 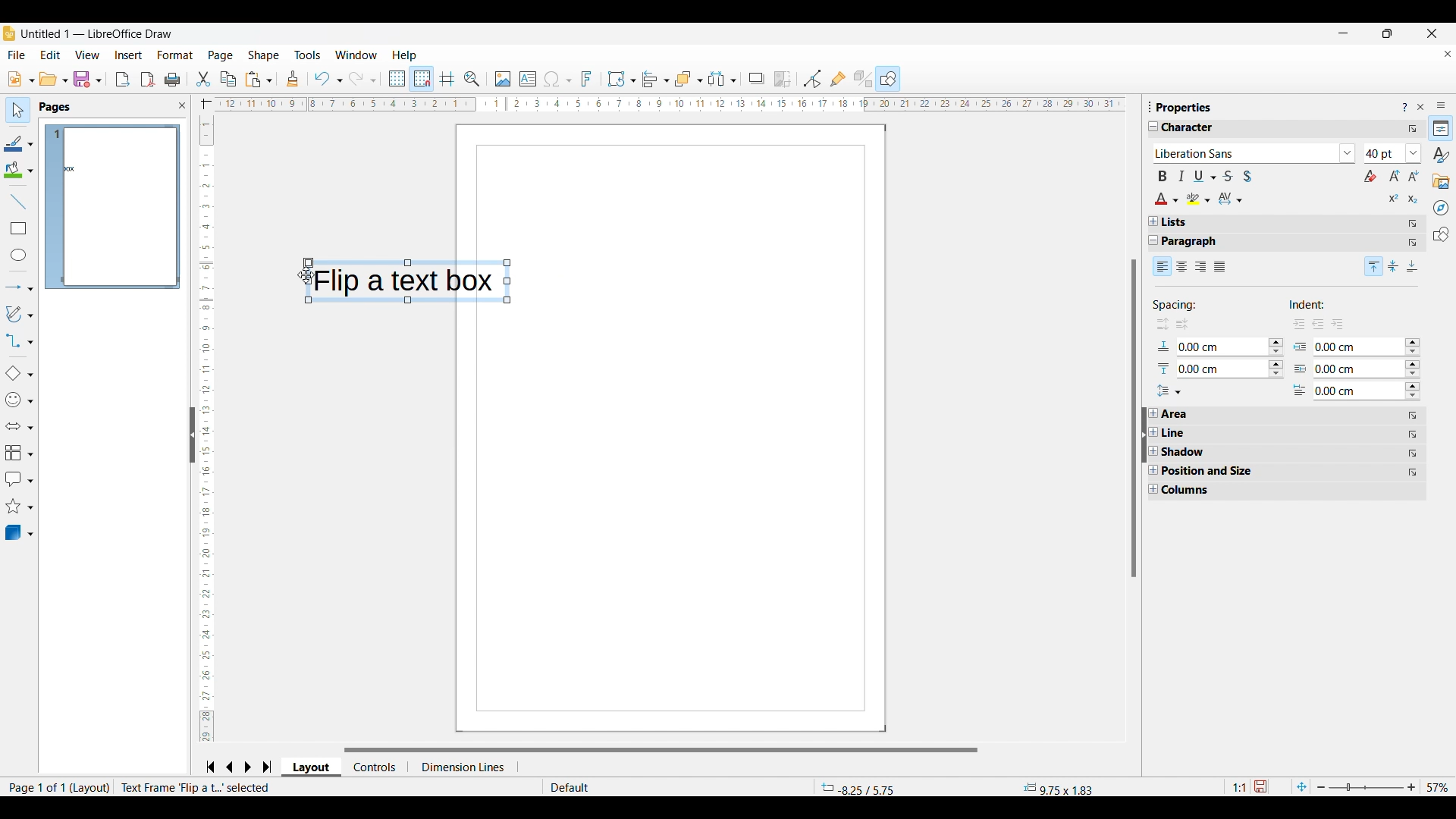 What do you see at coordinates (1374, 266) in the screenshot?
I see `Top alignment` at bounding box center [1374, 266].